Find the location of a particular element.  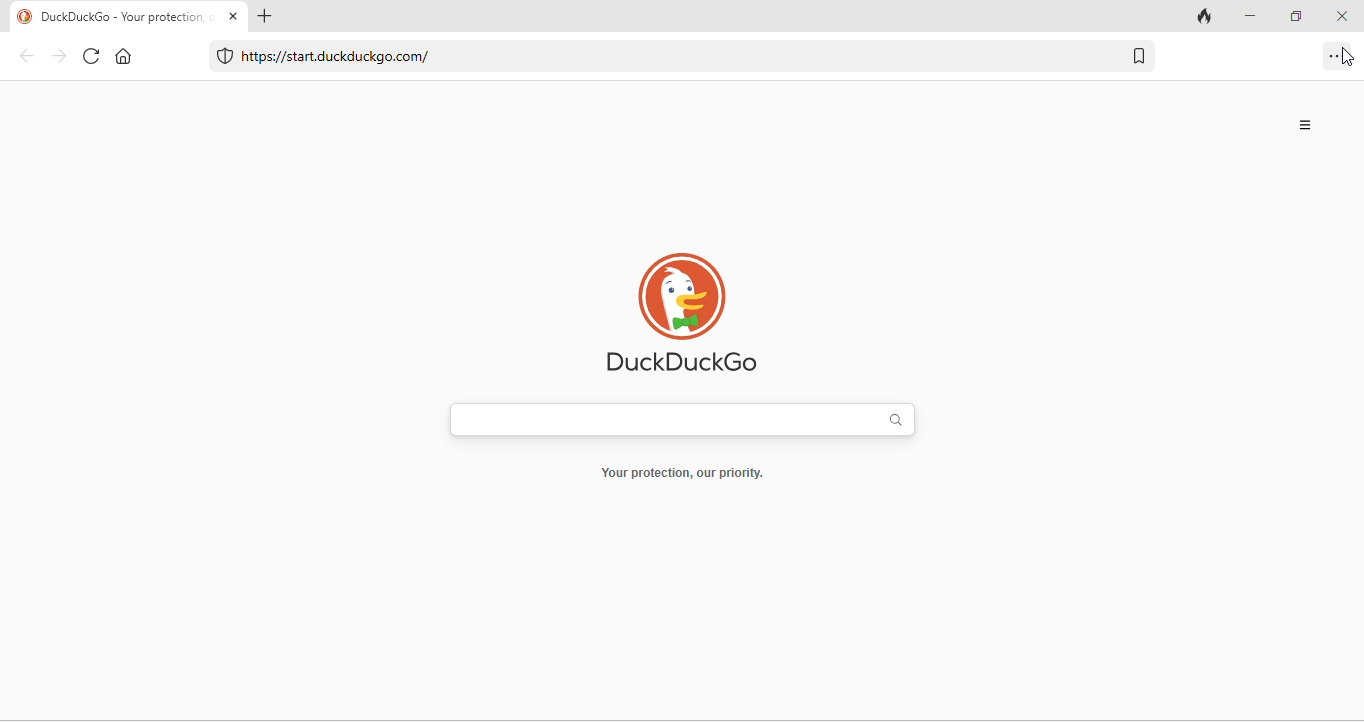

close is located at coordinates (1341, 17).